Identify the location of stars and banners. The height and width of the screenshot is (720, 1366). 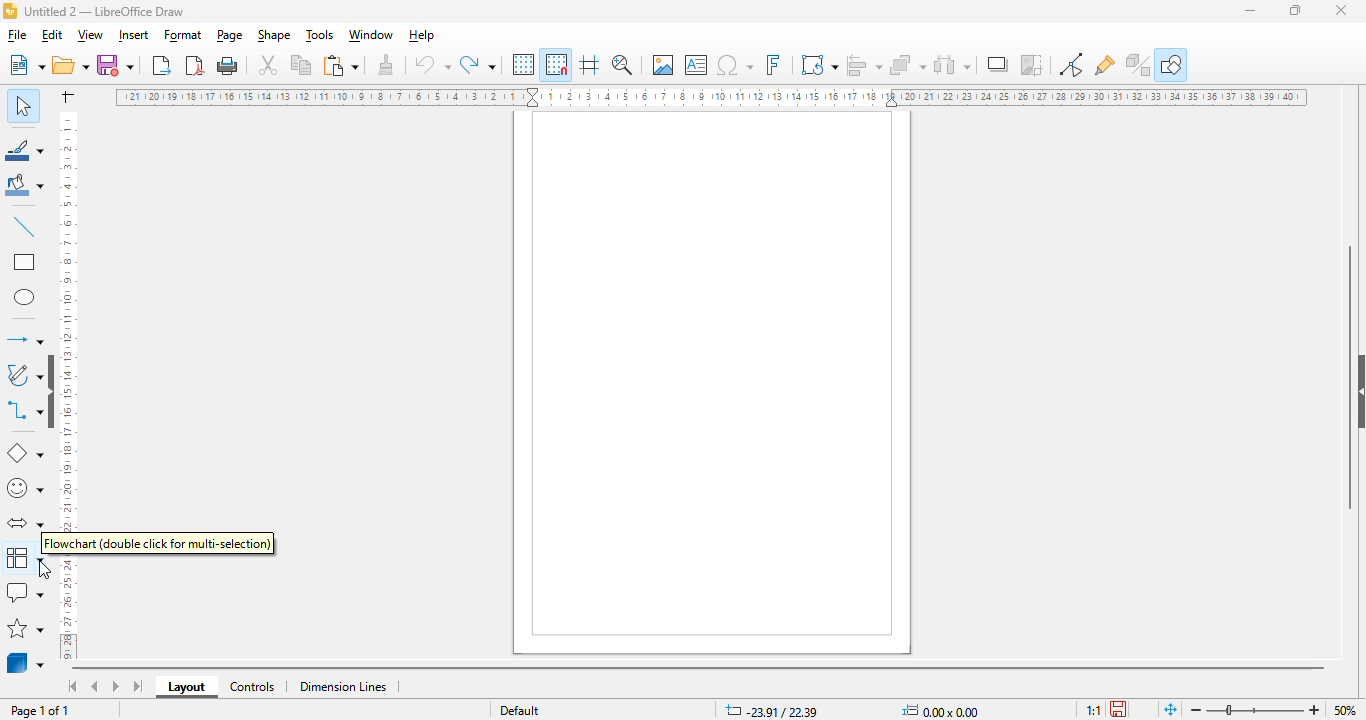
(27, 629).